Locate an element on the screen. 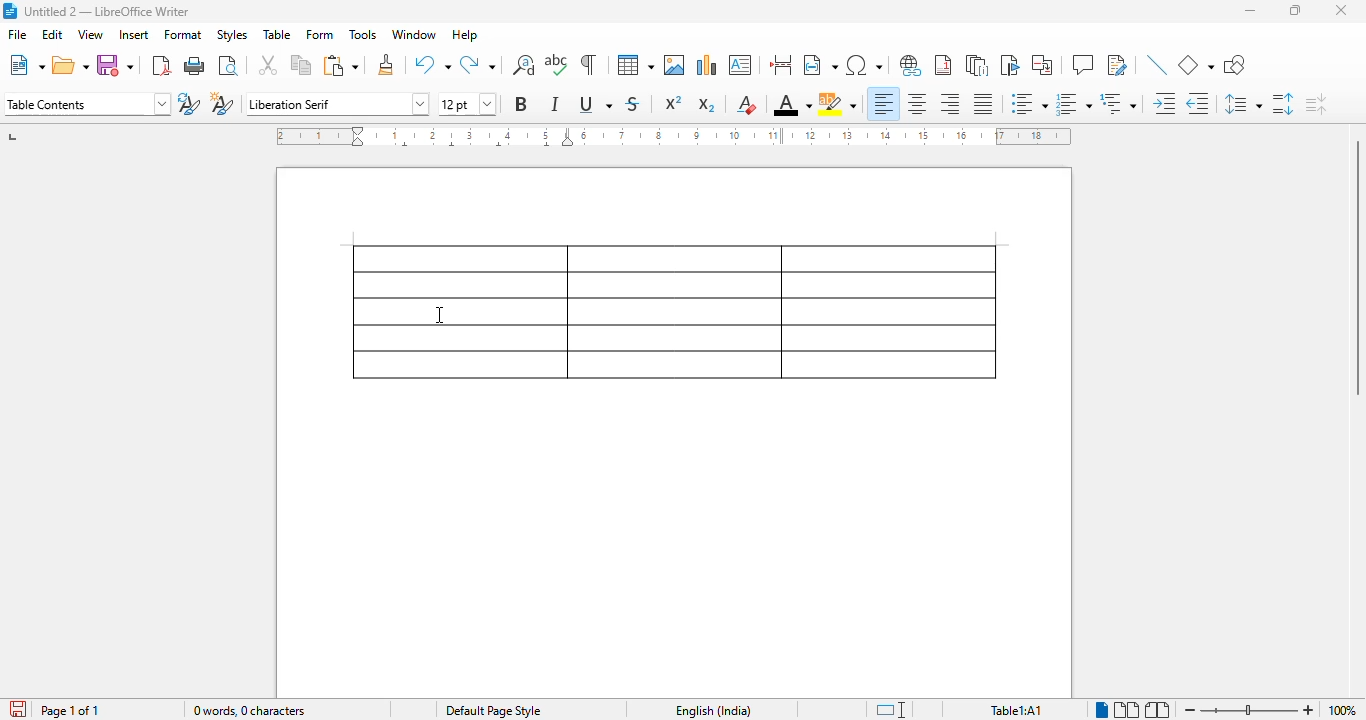  spelling is located at coordinates (558, 65).